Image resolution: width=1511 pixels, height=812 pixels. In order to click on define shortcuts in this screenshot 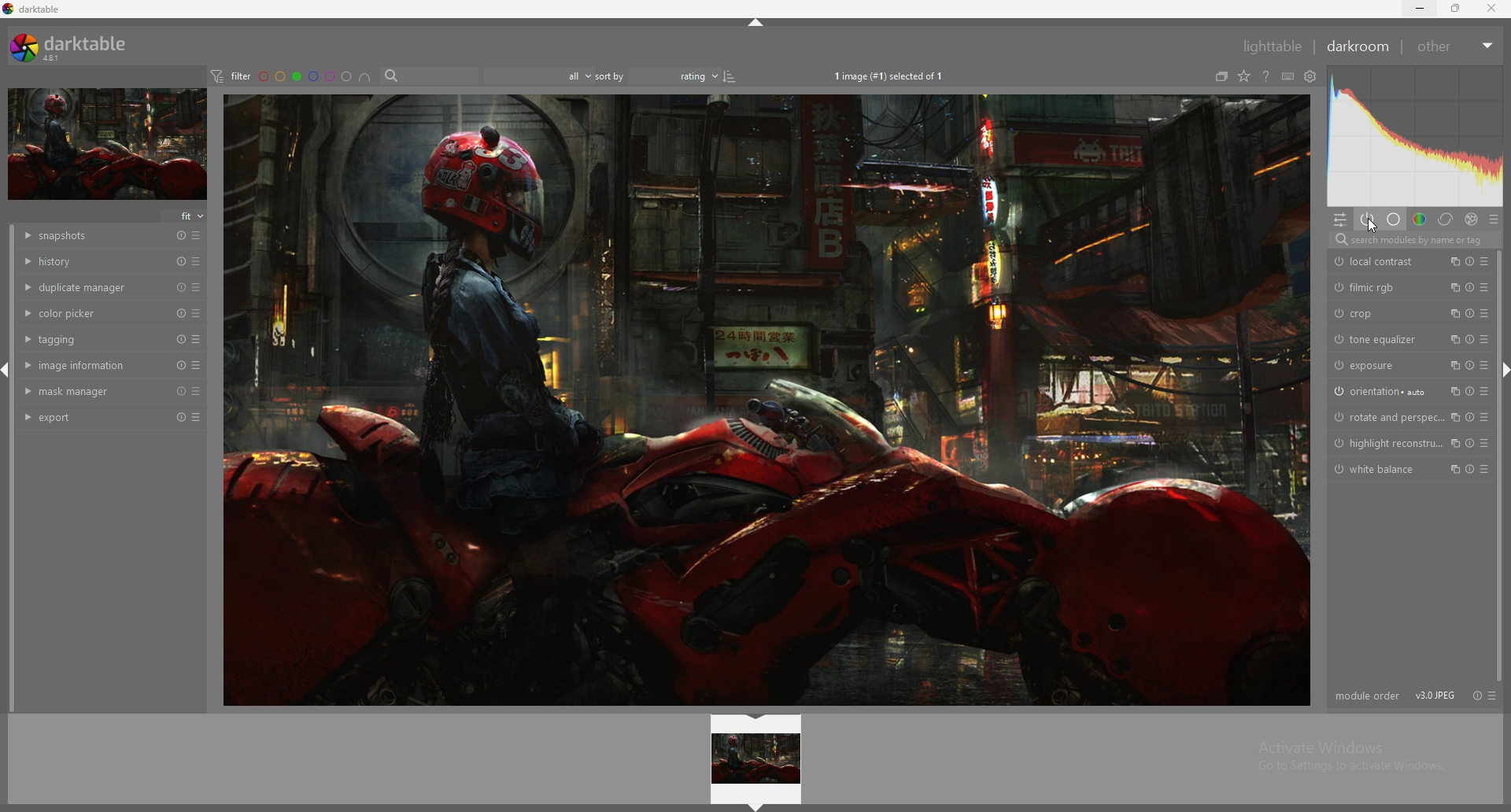, I will do `click(1287, 76)`.